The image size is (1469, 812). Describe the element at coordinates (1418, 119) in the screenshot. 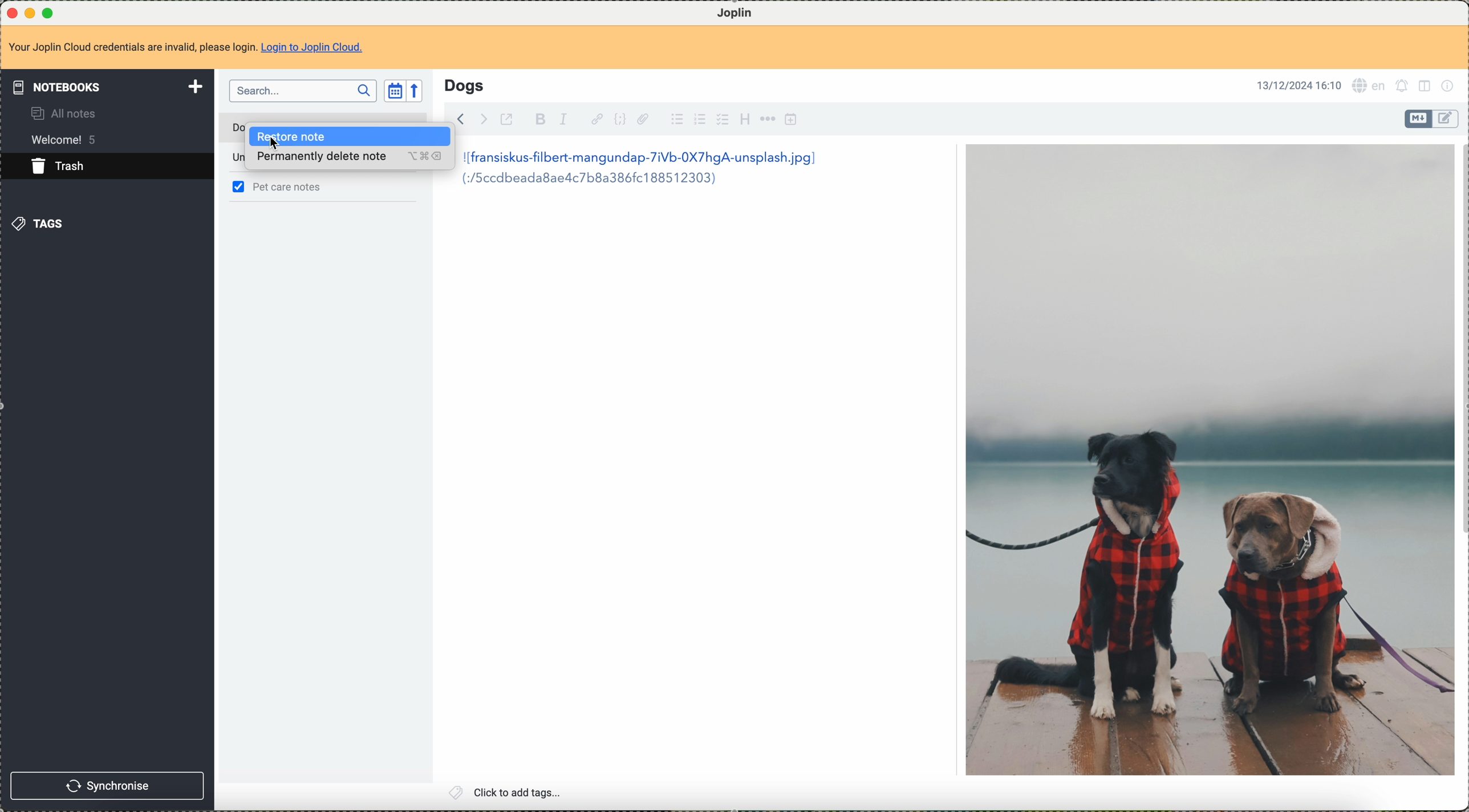

I see `toggle editor` at that location.